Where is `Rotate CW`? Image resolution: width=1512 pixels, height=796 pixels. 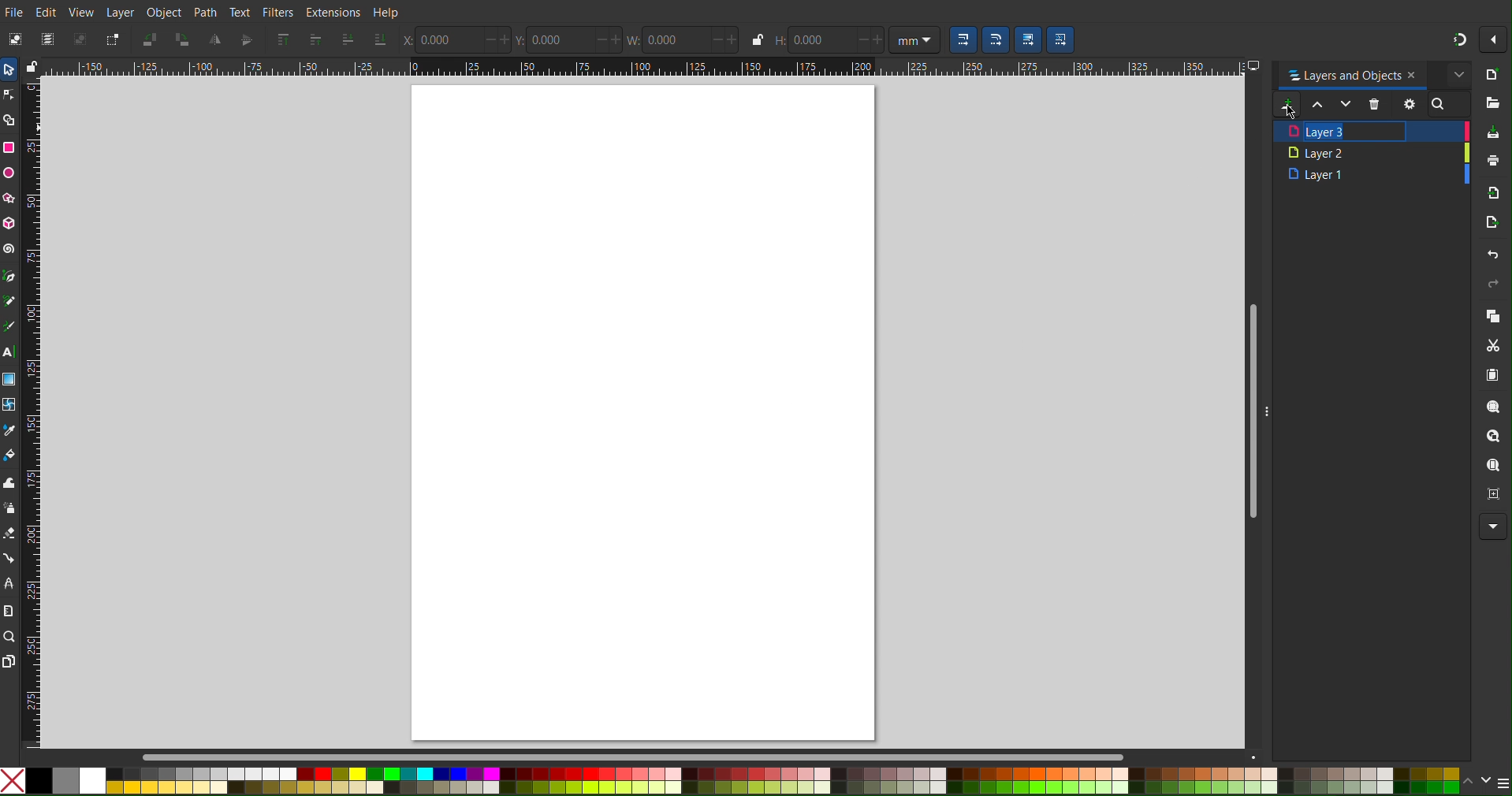 Rotate CW is located at coordinates (182, 40).